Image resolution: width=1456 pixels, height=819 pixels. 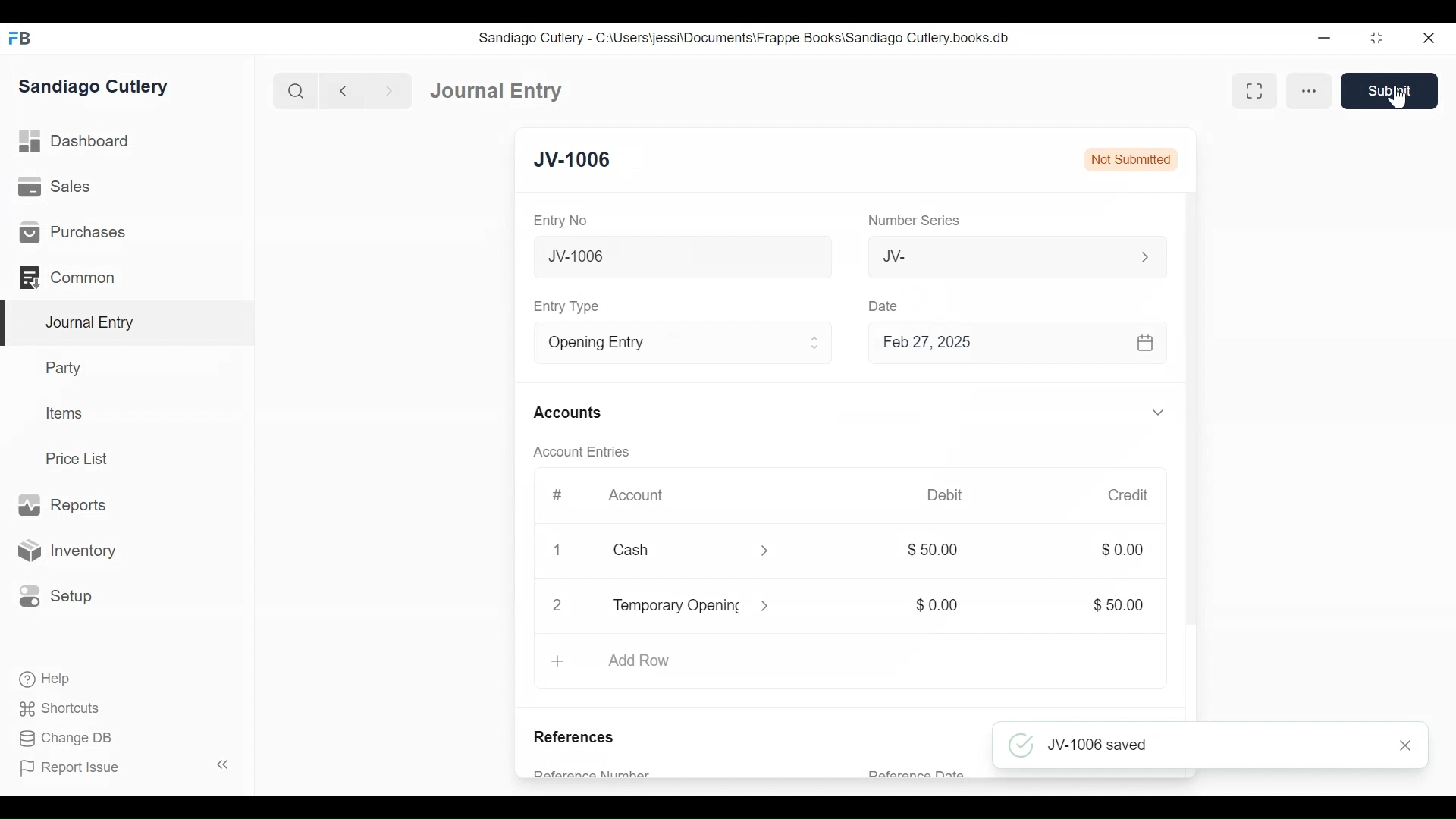 I want to click on Purchases, so click(x=75, y=232).